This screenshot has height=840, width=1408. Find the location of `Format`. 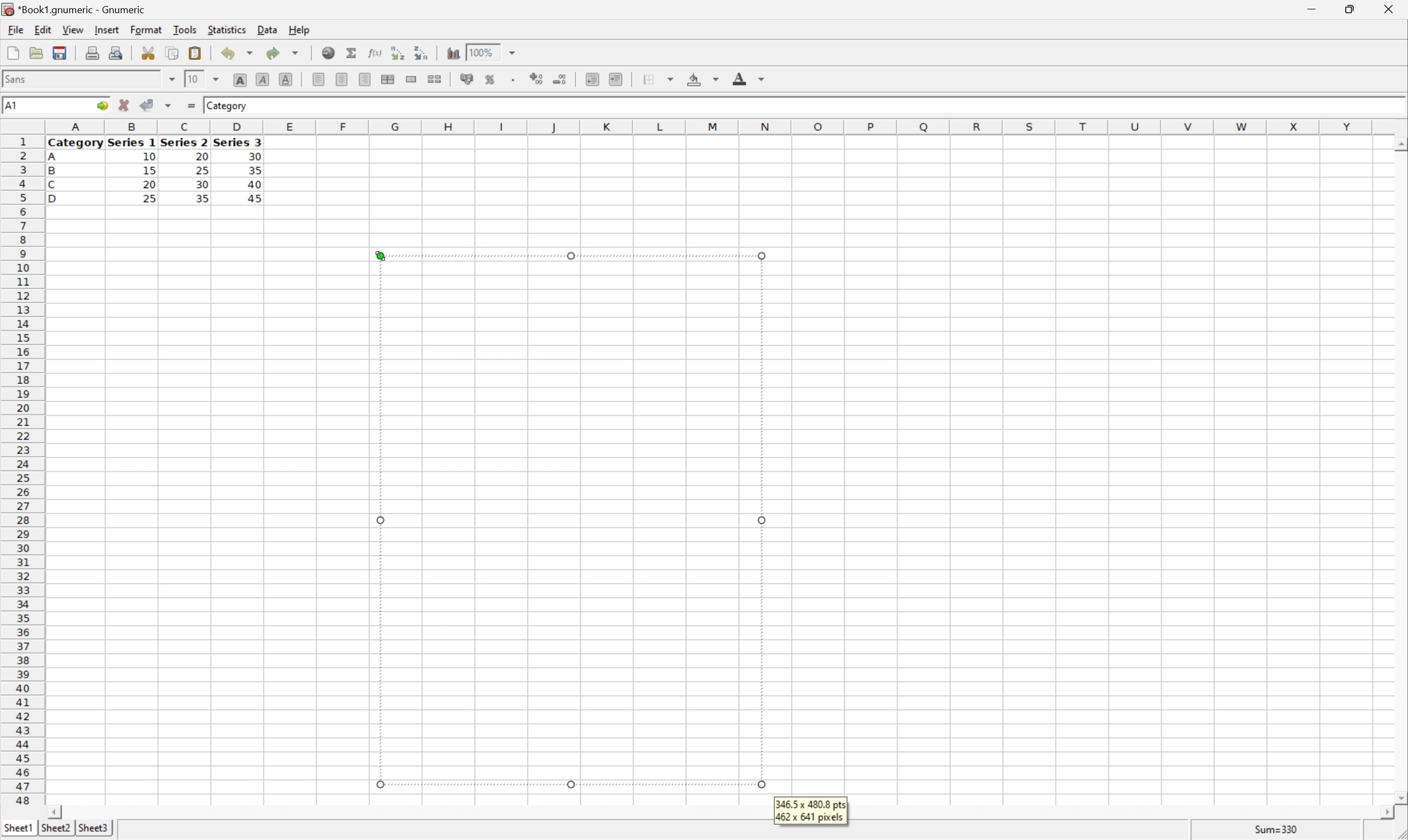

Format is located at coordinates (146, 29).